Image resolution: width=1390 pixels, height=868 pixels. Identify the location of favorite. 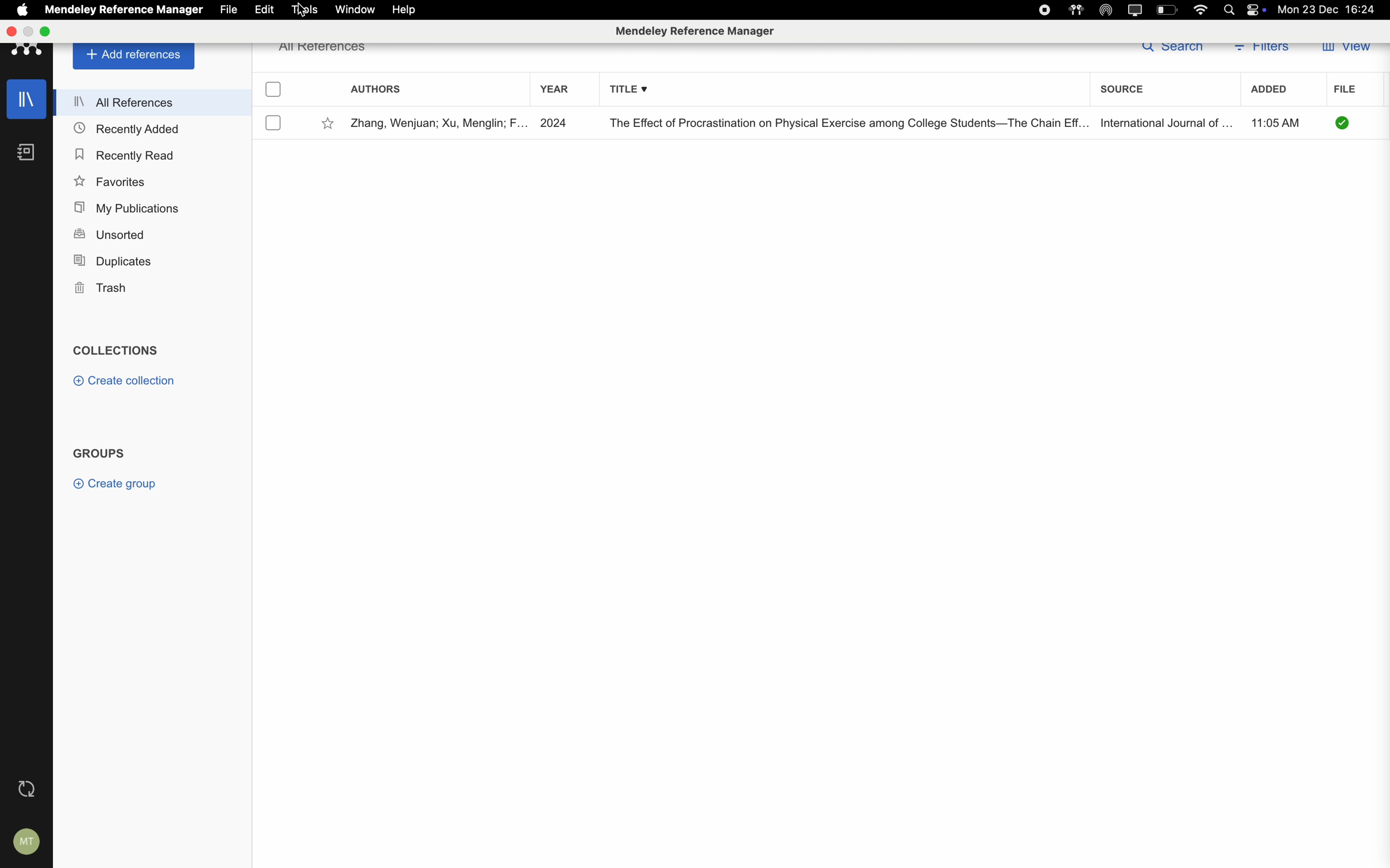
(327, 123).